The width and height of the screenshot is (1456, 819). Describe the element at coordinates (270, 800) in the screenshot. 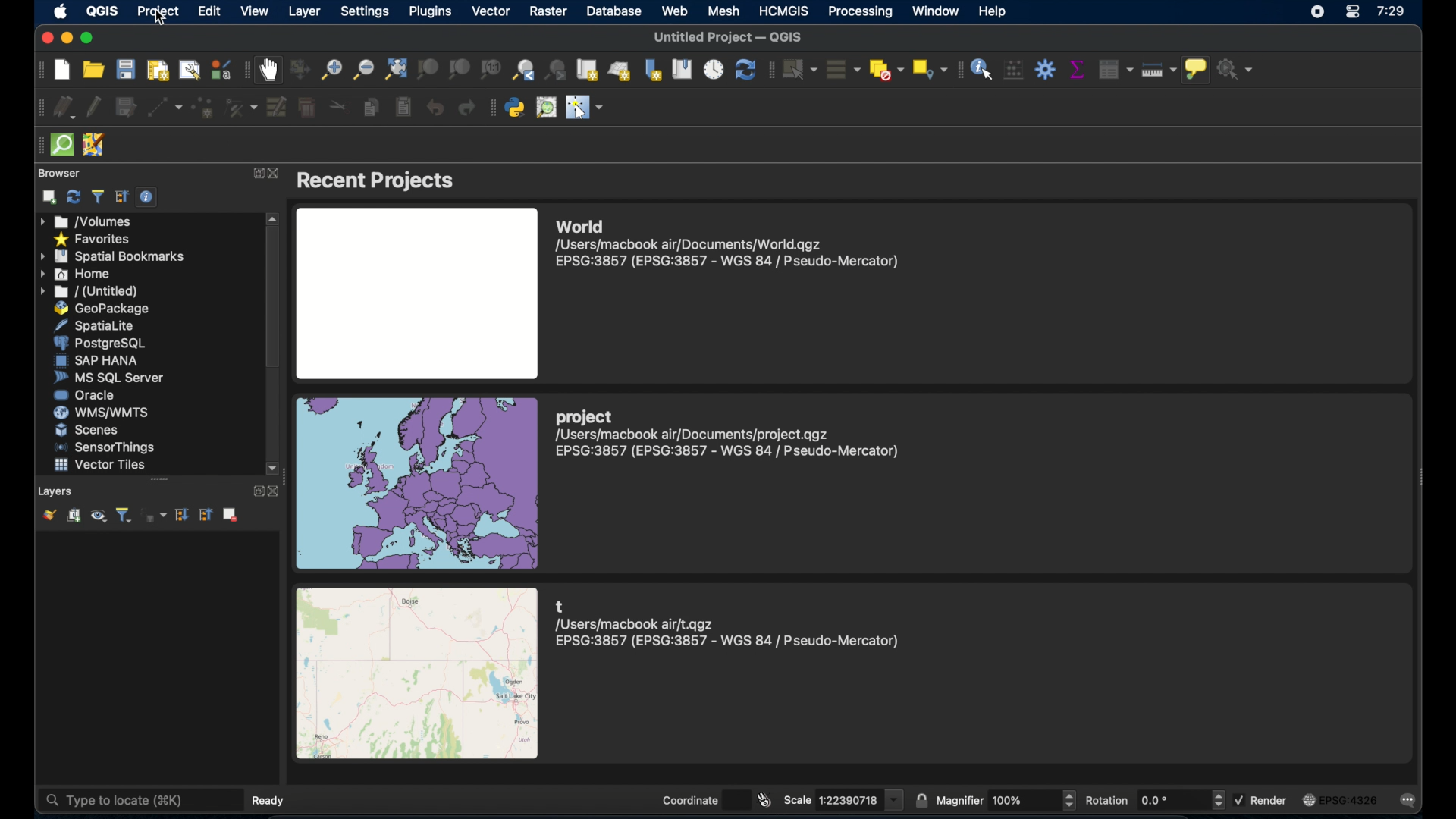

I see `ready` at that location.